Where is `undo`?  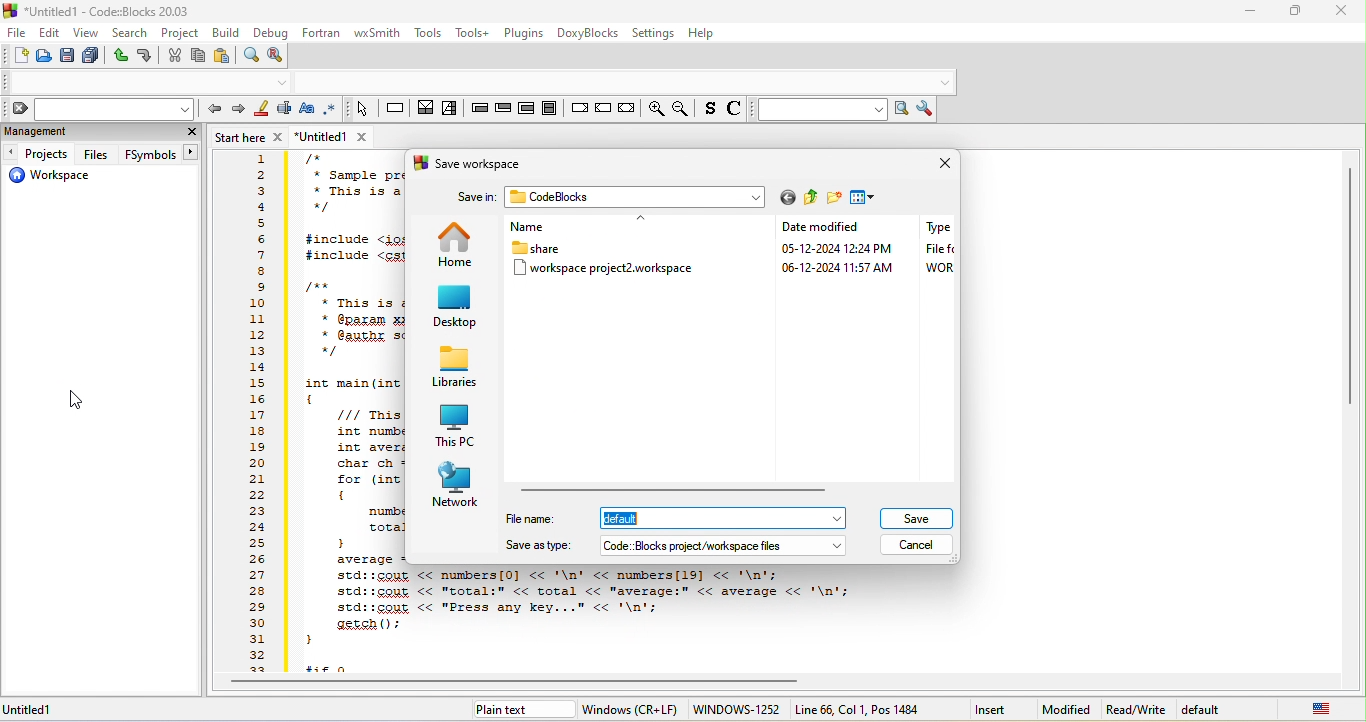 undo is located at coordinates (117, 56).